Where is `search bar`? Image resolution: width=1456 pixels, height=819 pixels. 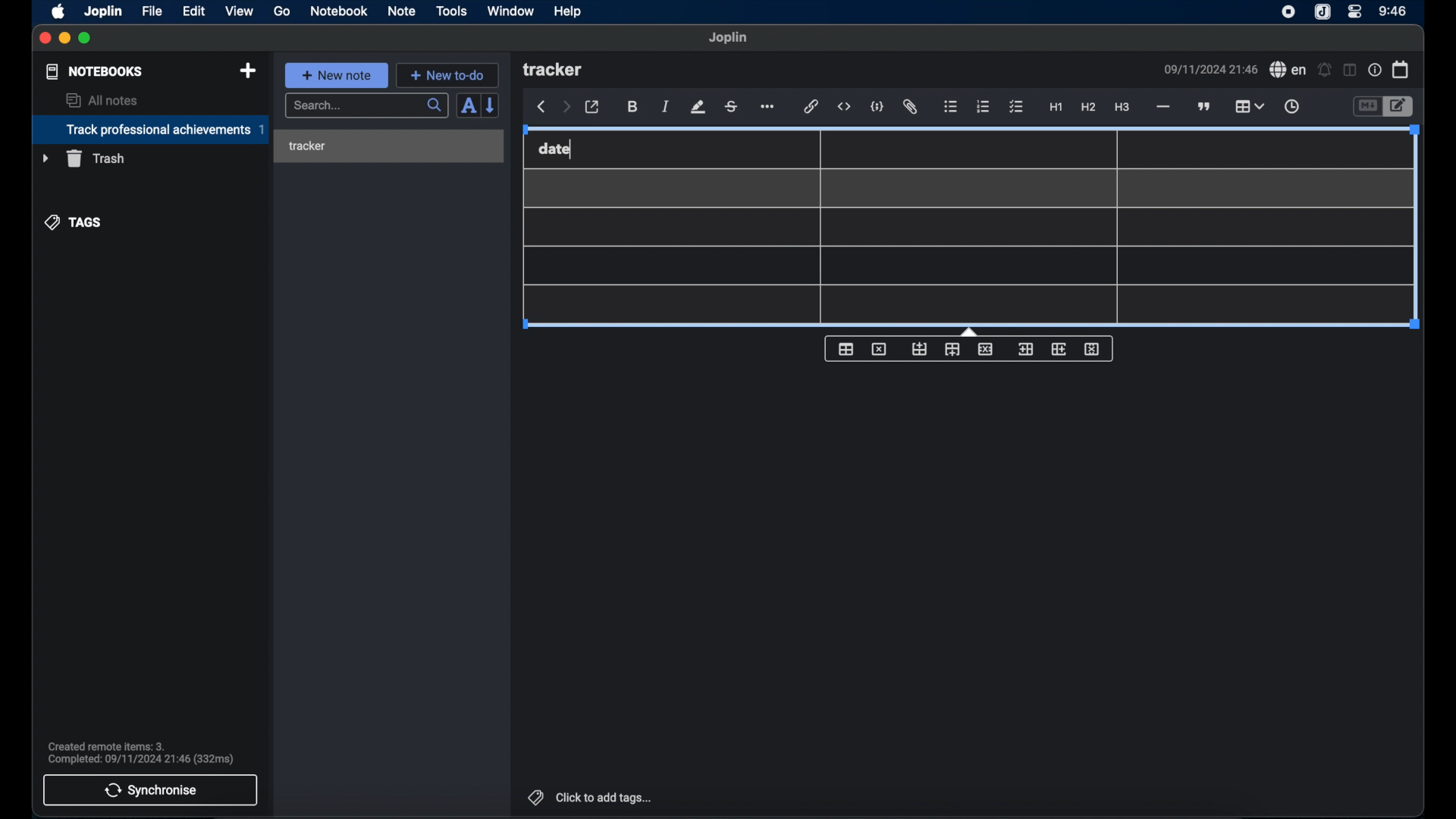 search bar is located at coordinates (366, 106).